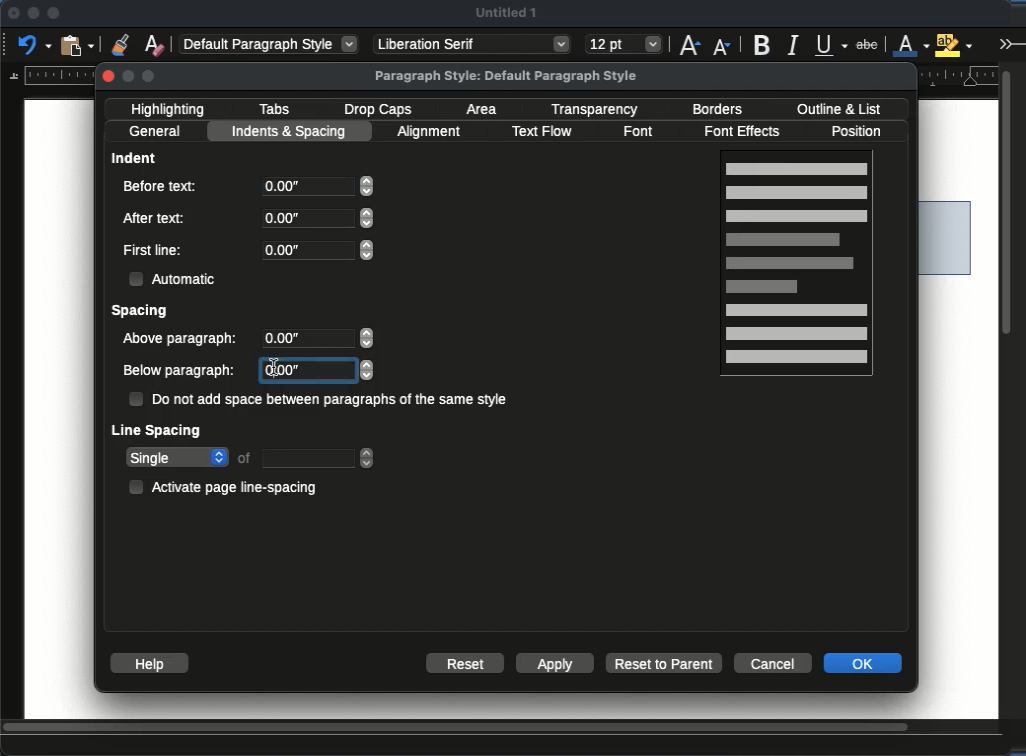 This screenshot has width=1026, height=756. I want to click on alignment, so click(432, 132).